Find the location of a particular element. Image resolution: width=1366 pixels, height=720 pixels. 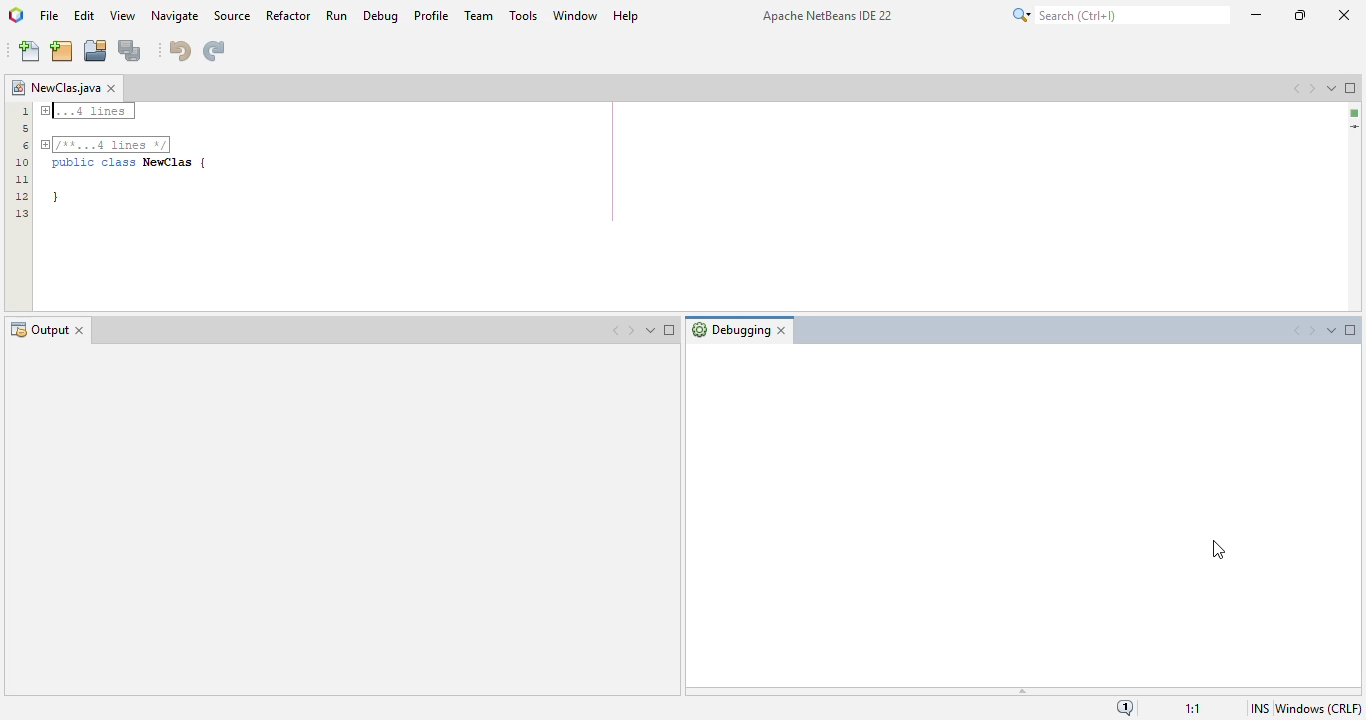

Next is located at coordinates (633, 332).